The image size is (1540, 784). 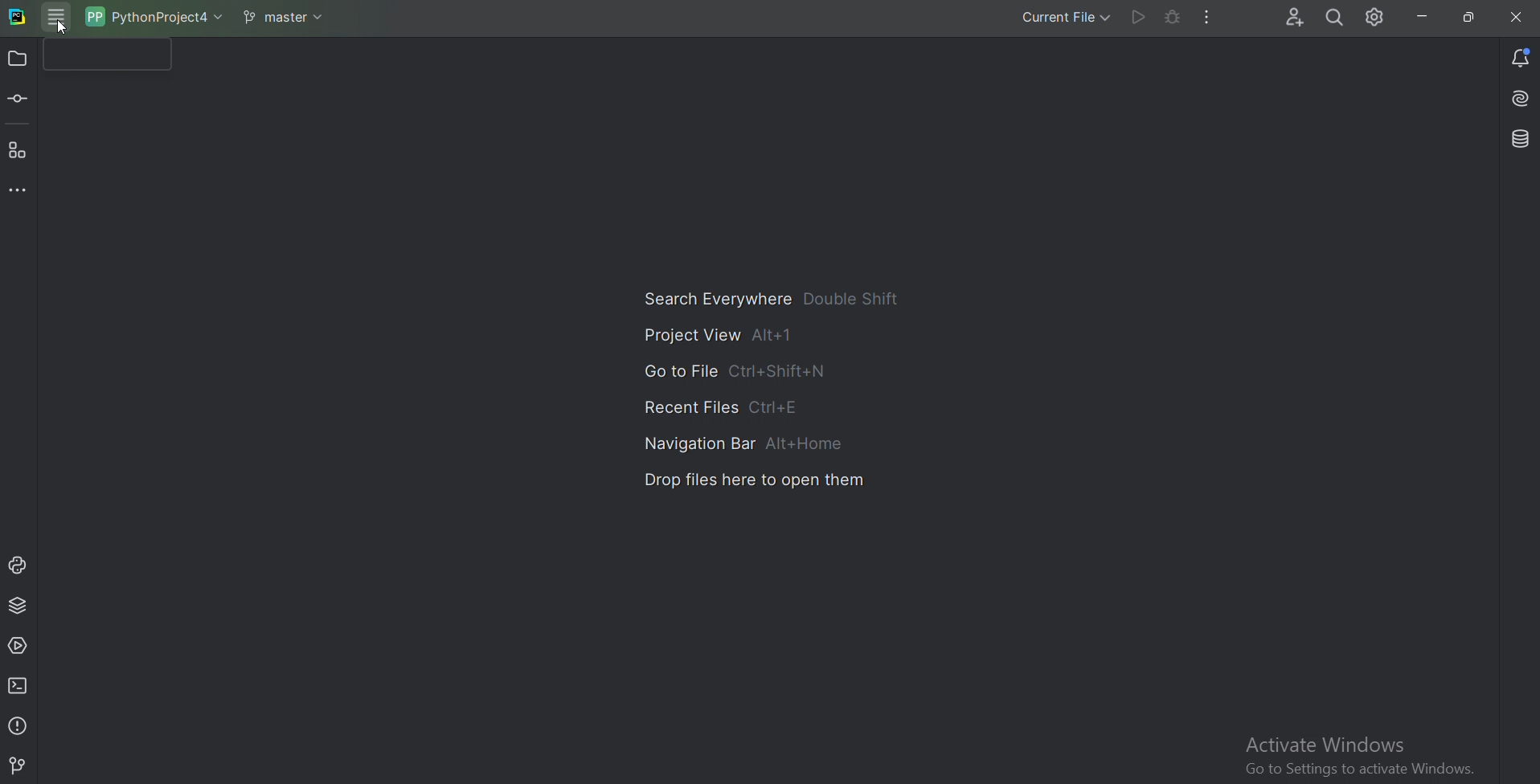 What do you see at coordinates (735, 370) in the screenshot?
I see `Go to file` at bounding box center [735, 370].